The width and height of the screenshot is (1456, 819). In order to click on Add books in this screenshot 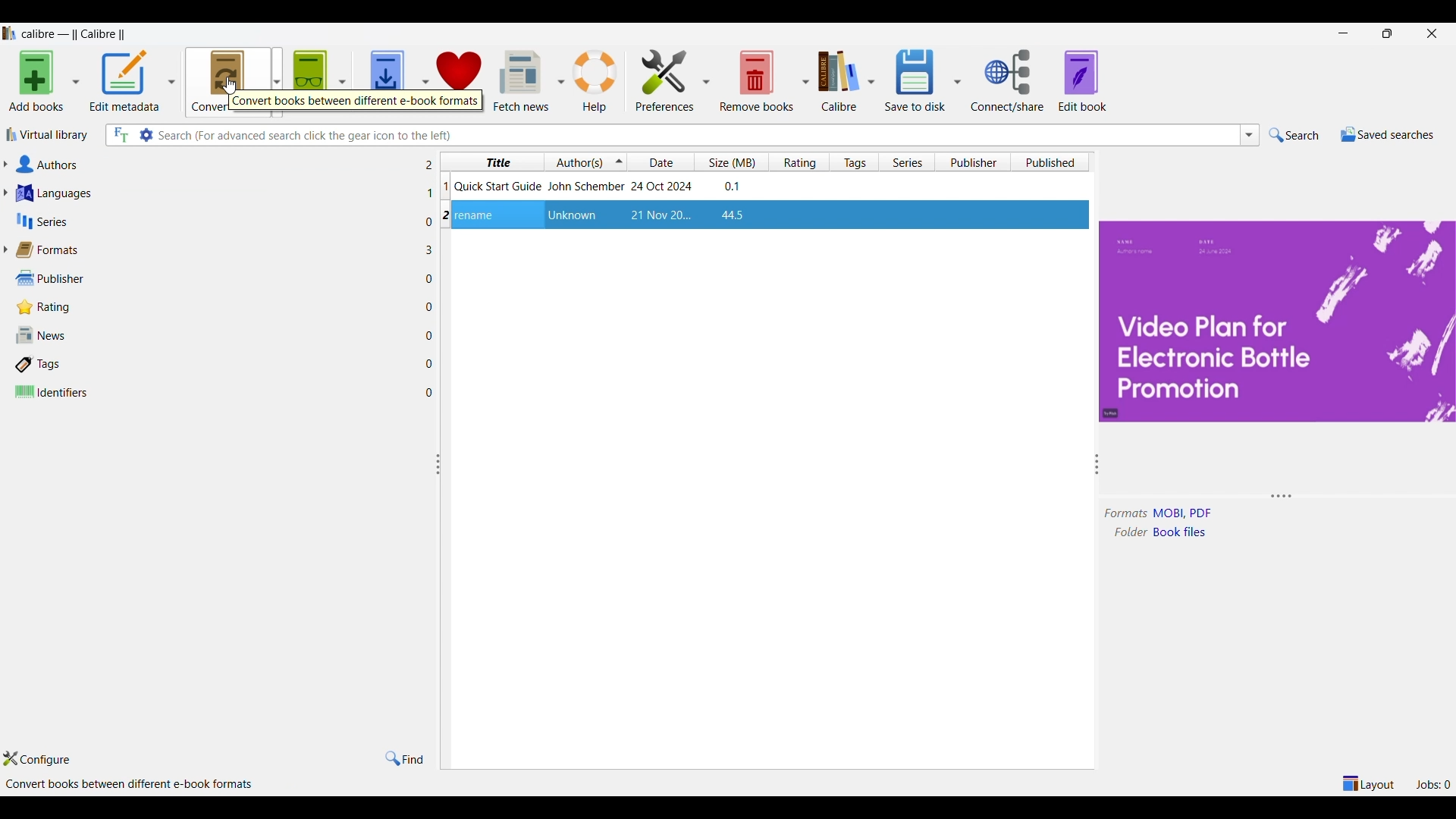, I will do `click(36, 81)`.